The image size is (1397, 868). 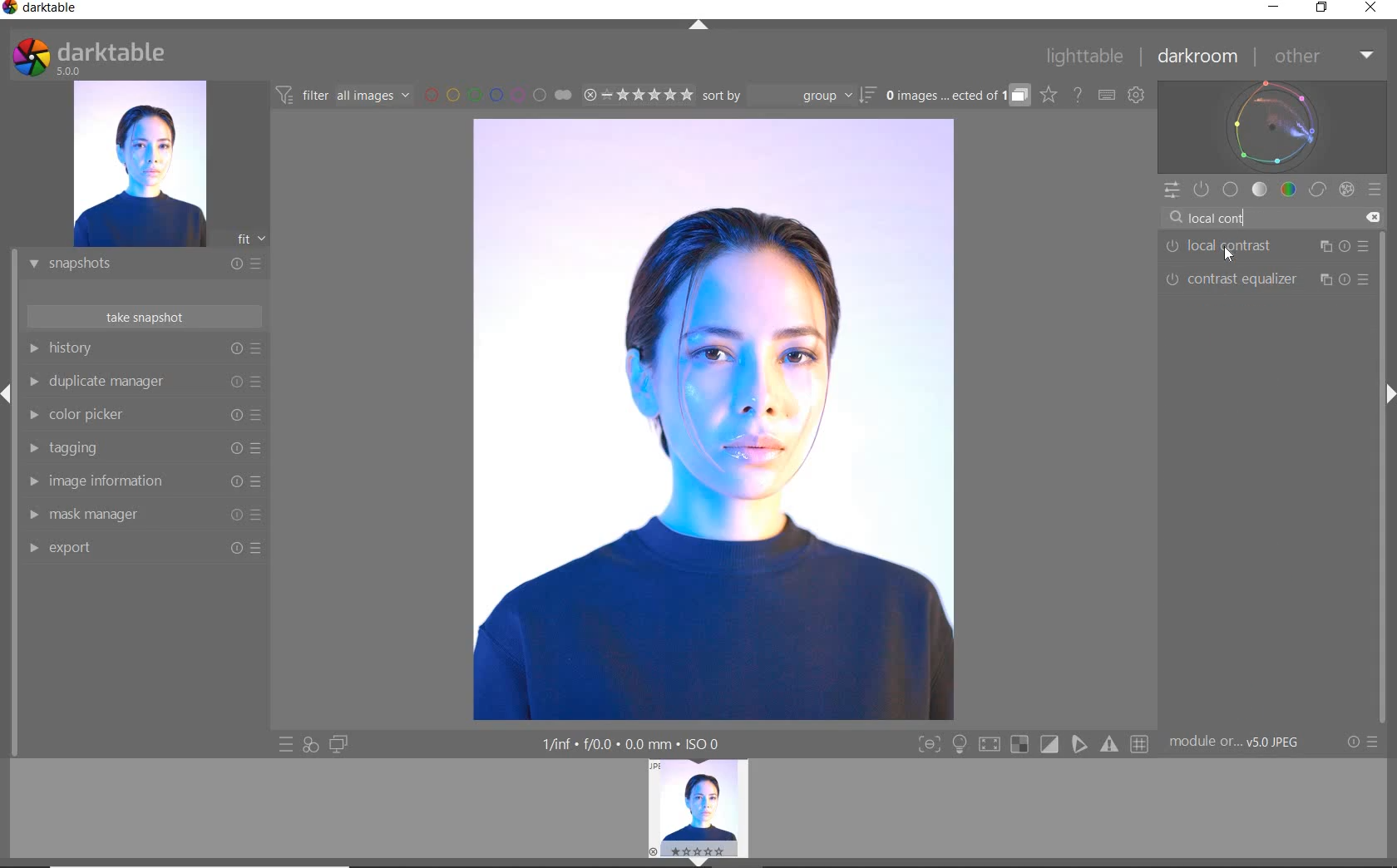 What do you see at coordinates (957, 96) in the screenshot?
I see `EXPAND GROUPED IMAGES` at bounding box center [957, 96].